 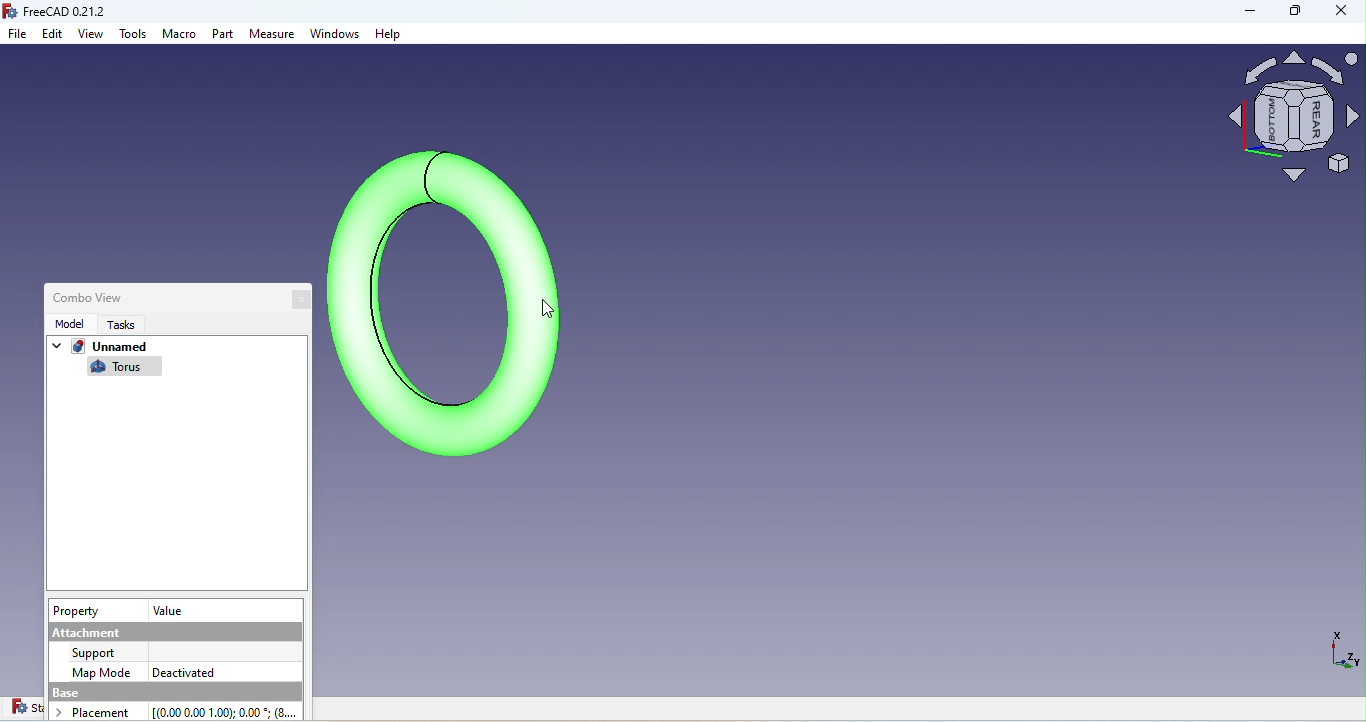 I want to click on Property, so click(x=80, y=611).